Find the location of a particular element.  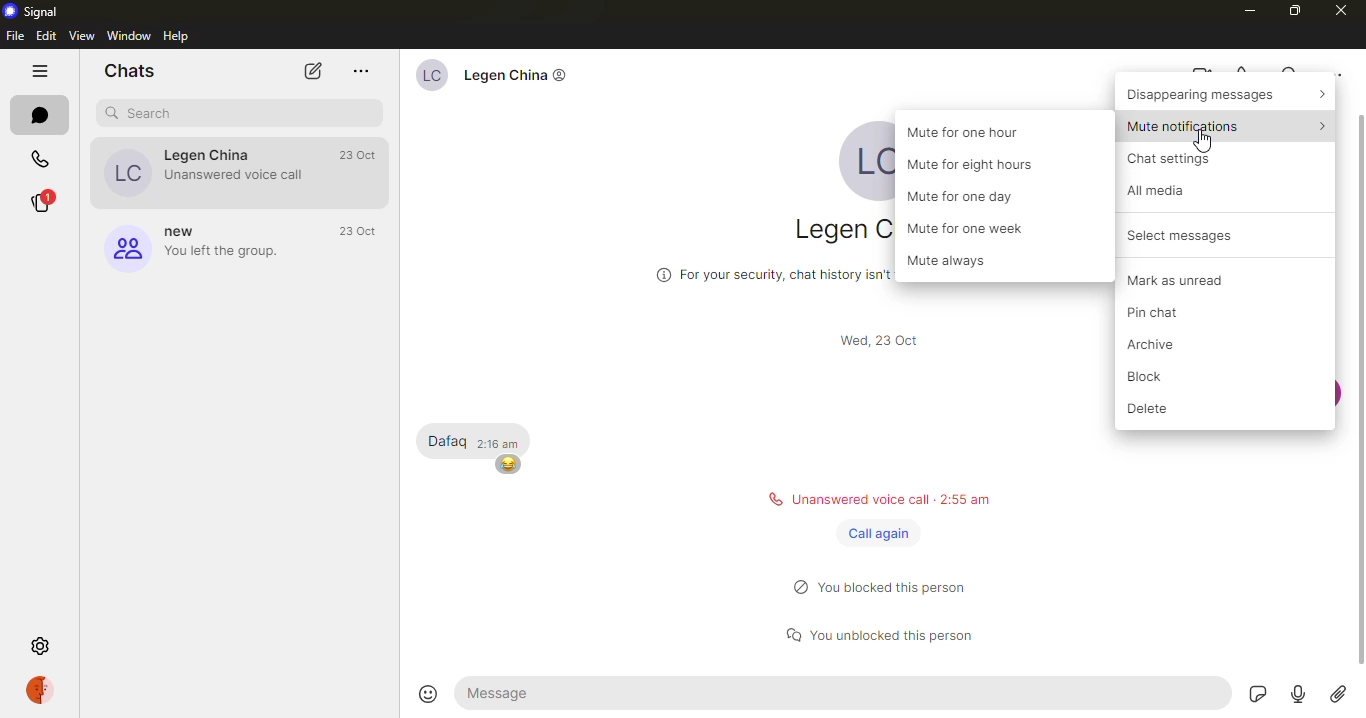

chats is located at coordinates (40, 115).